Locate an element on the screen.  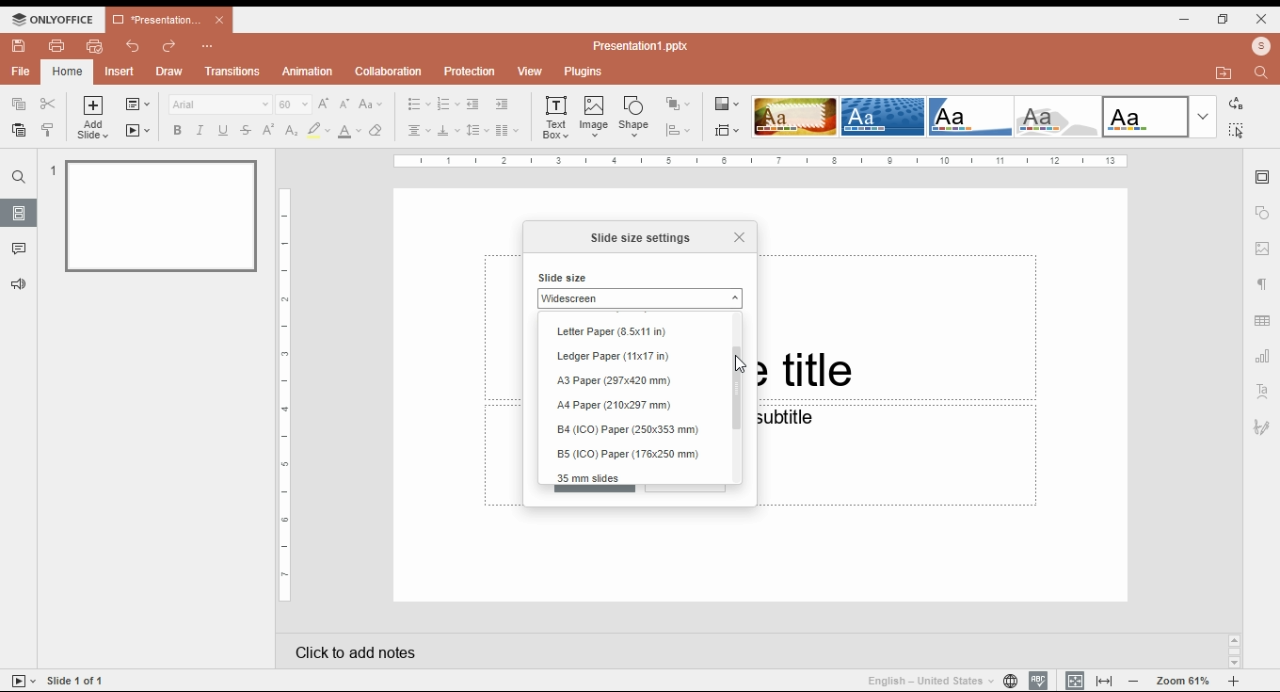
fit to window is located at coordinates (1106, 680).